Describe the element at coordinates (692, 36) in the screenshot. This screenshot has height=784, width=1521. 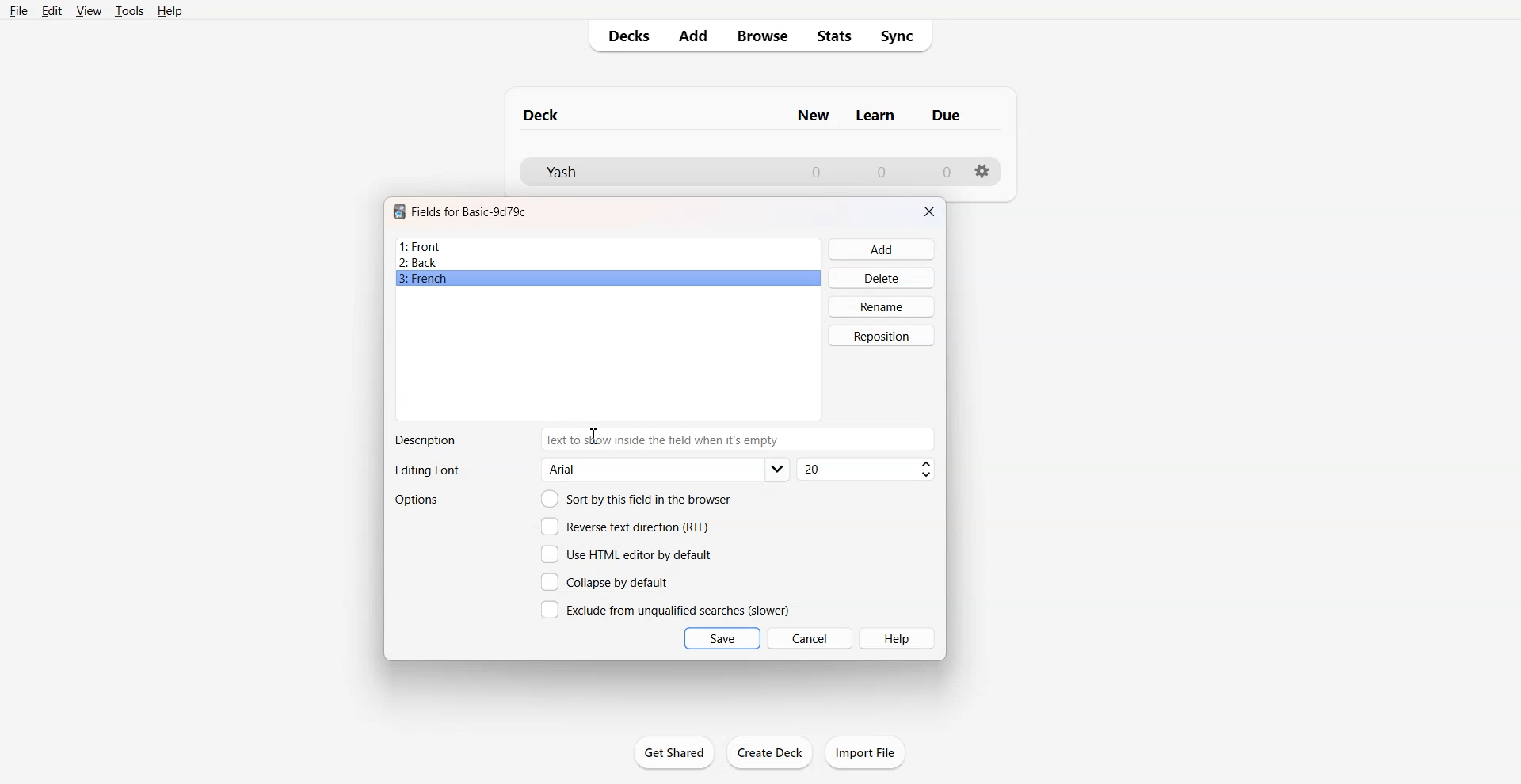
I see `Add` at that location.